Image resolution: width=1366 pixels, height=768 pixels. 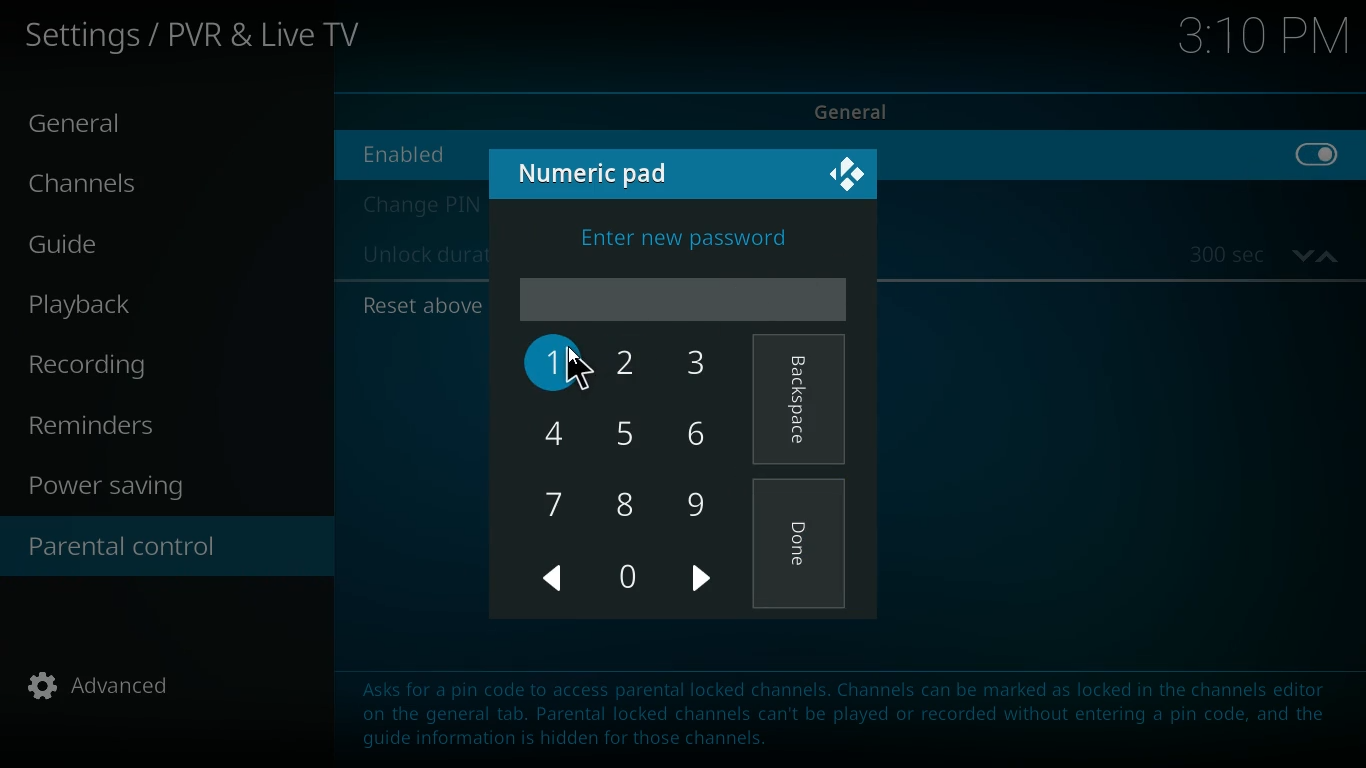 I want to click on cursor, so click(x=580, y=372).